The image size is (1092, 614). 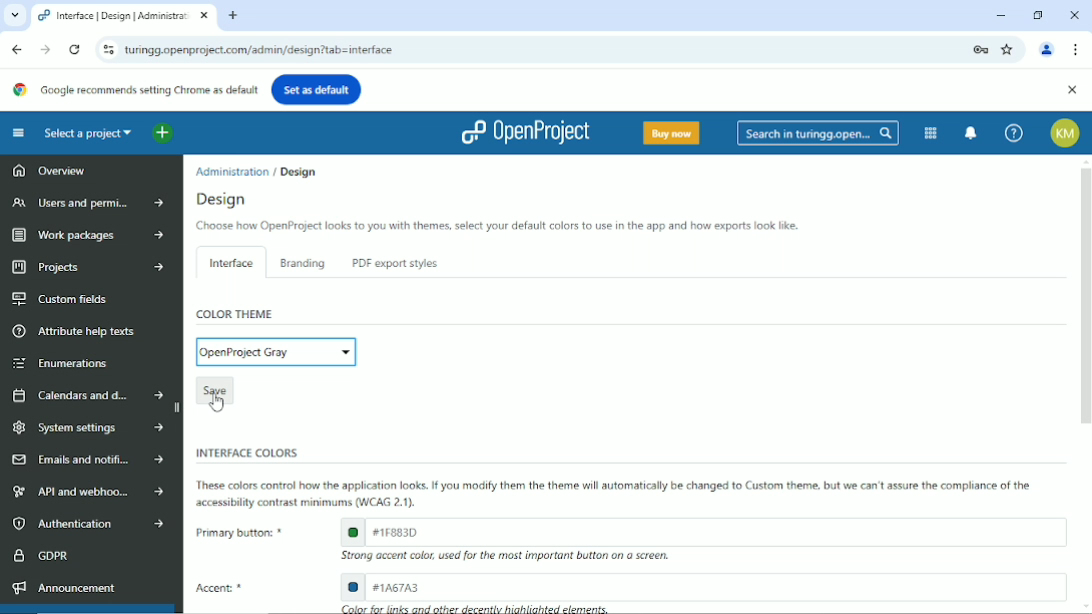 What do you see at coordinates (1048, 48) in the screenshot?
I see `Account` at bounding box center [1048, 48].